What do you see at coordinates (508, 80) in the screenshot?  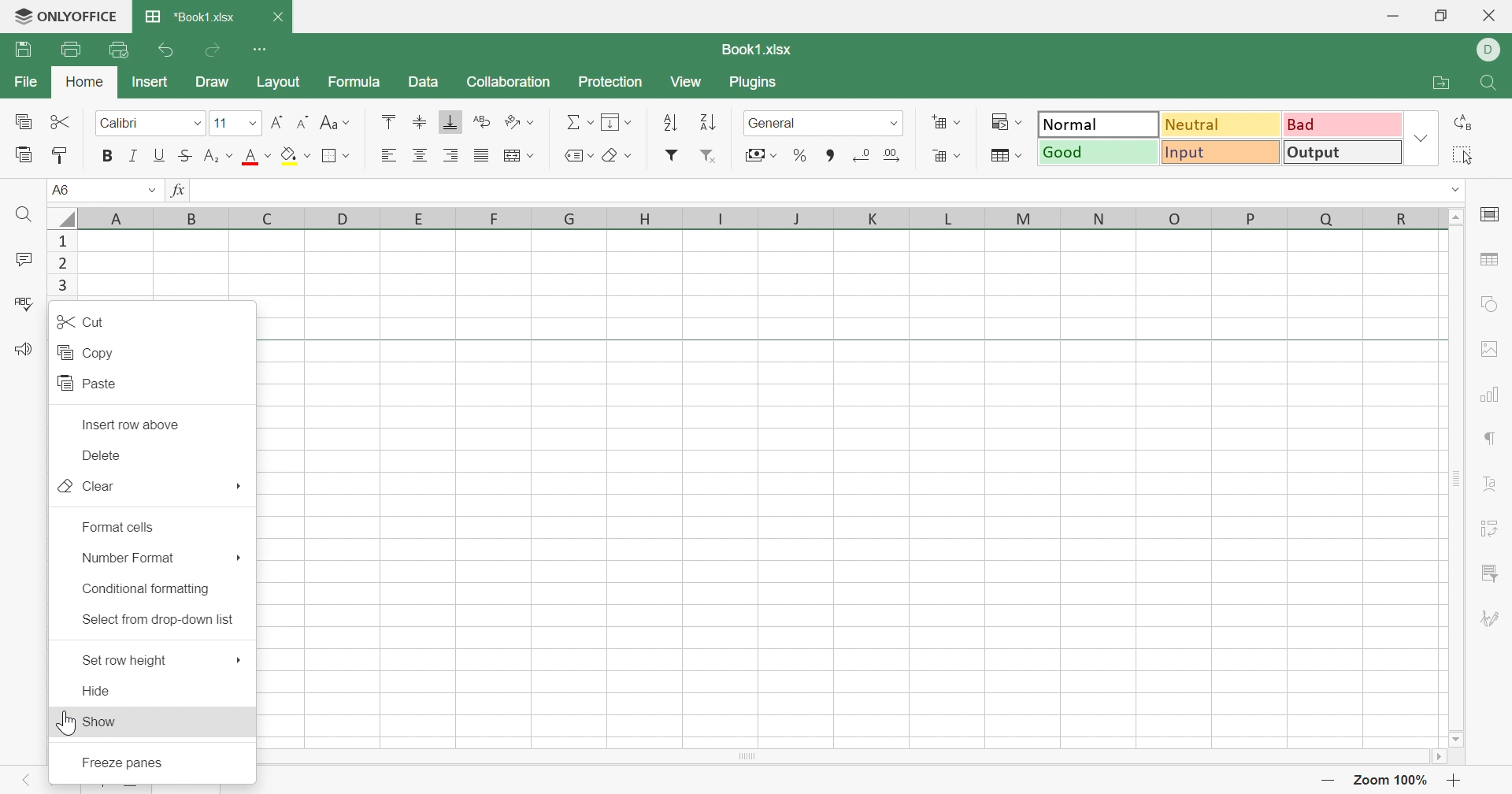 I see `Collaboration` at bounding box center [508, 80].